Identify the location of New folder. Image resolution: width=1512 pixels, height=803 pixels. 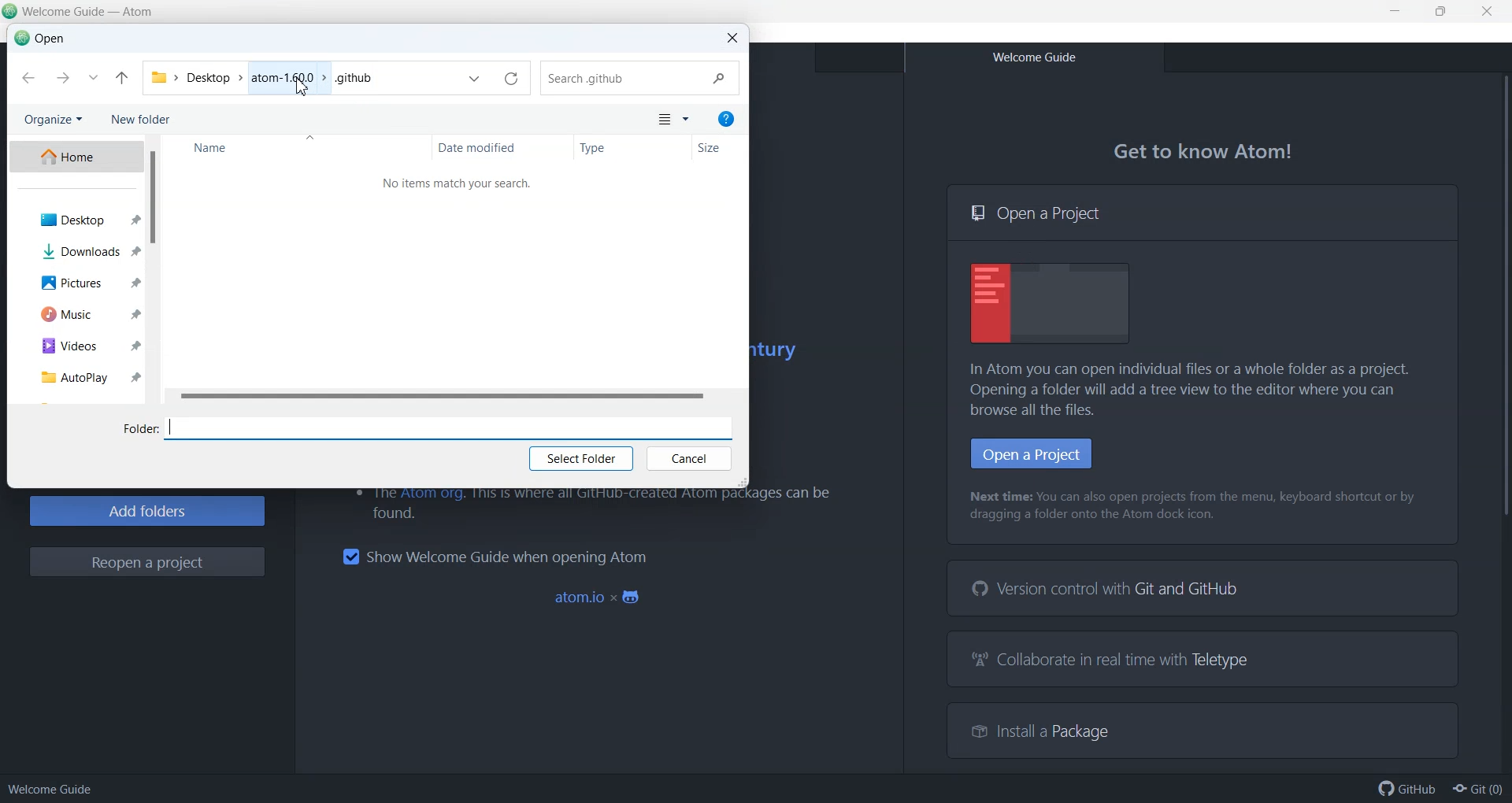
(143, 120).